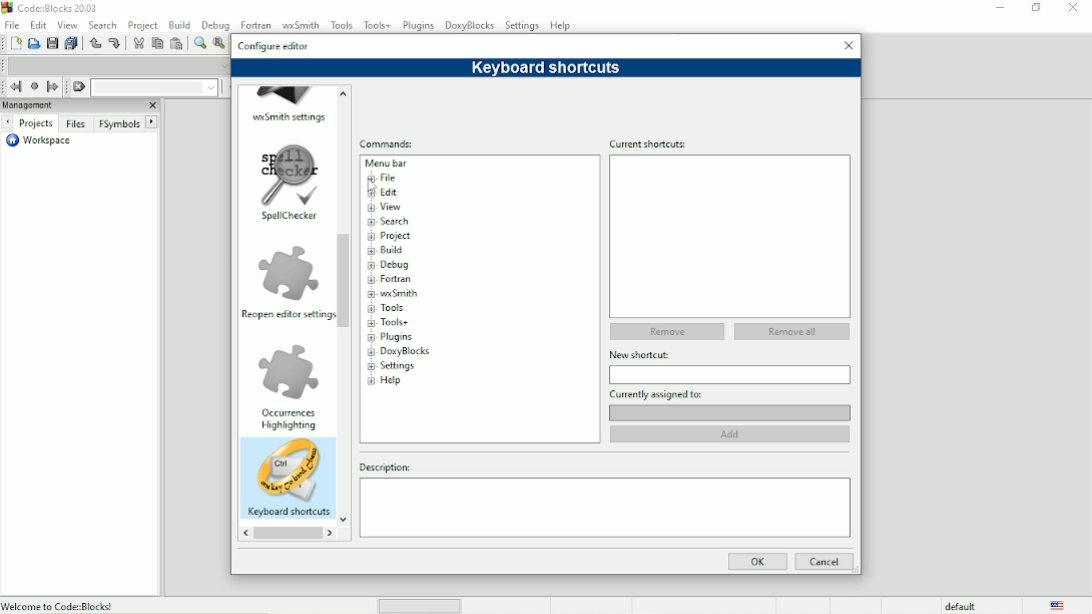 The image size is (1092, 614). I want to click on Workspace, so click(43, 142).